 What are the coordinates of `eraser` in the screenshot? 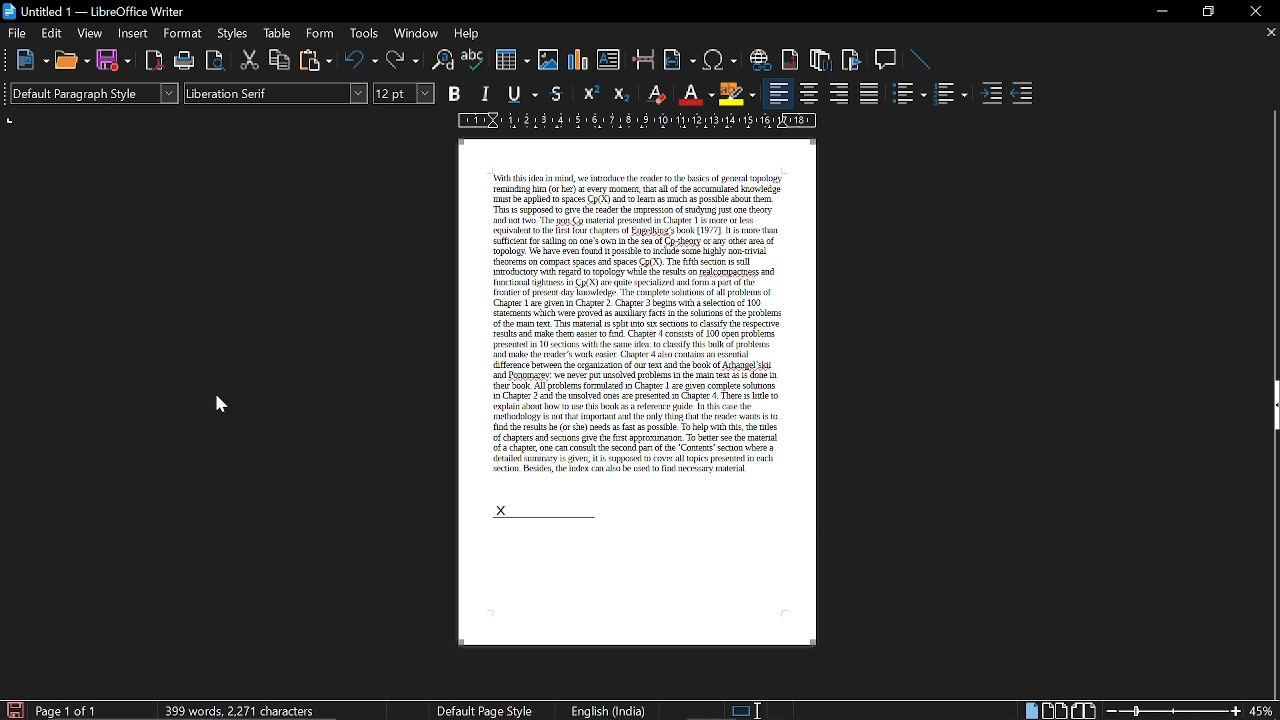 It's located at (658, 93).